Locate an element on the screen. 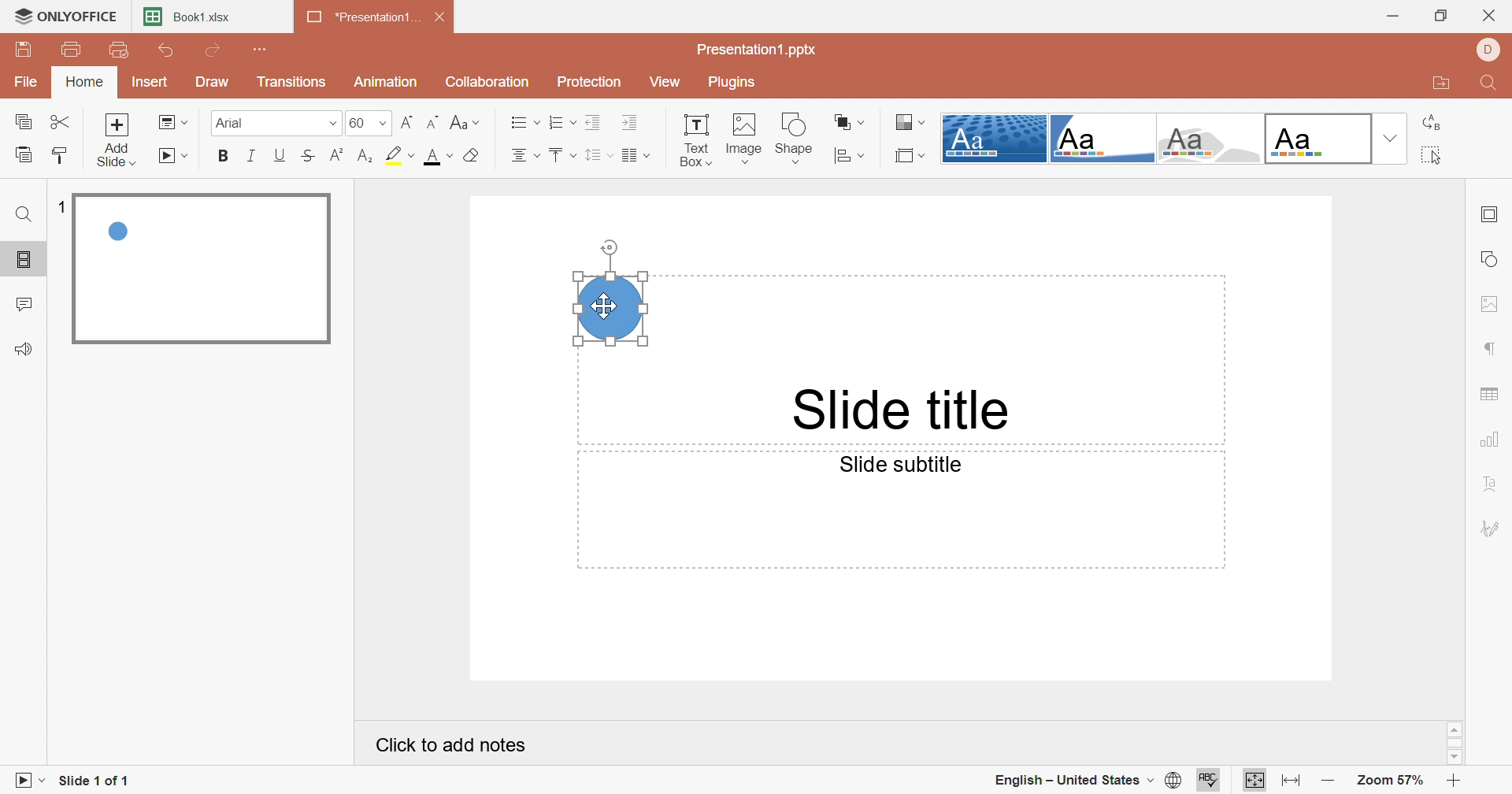 This screenshot has height=794, width=1512. Shape settings is located at coordinates (1492, 258).